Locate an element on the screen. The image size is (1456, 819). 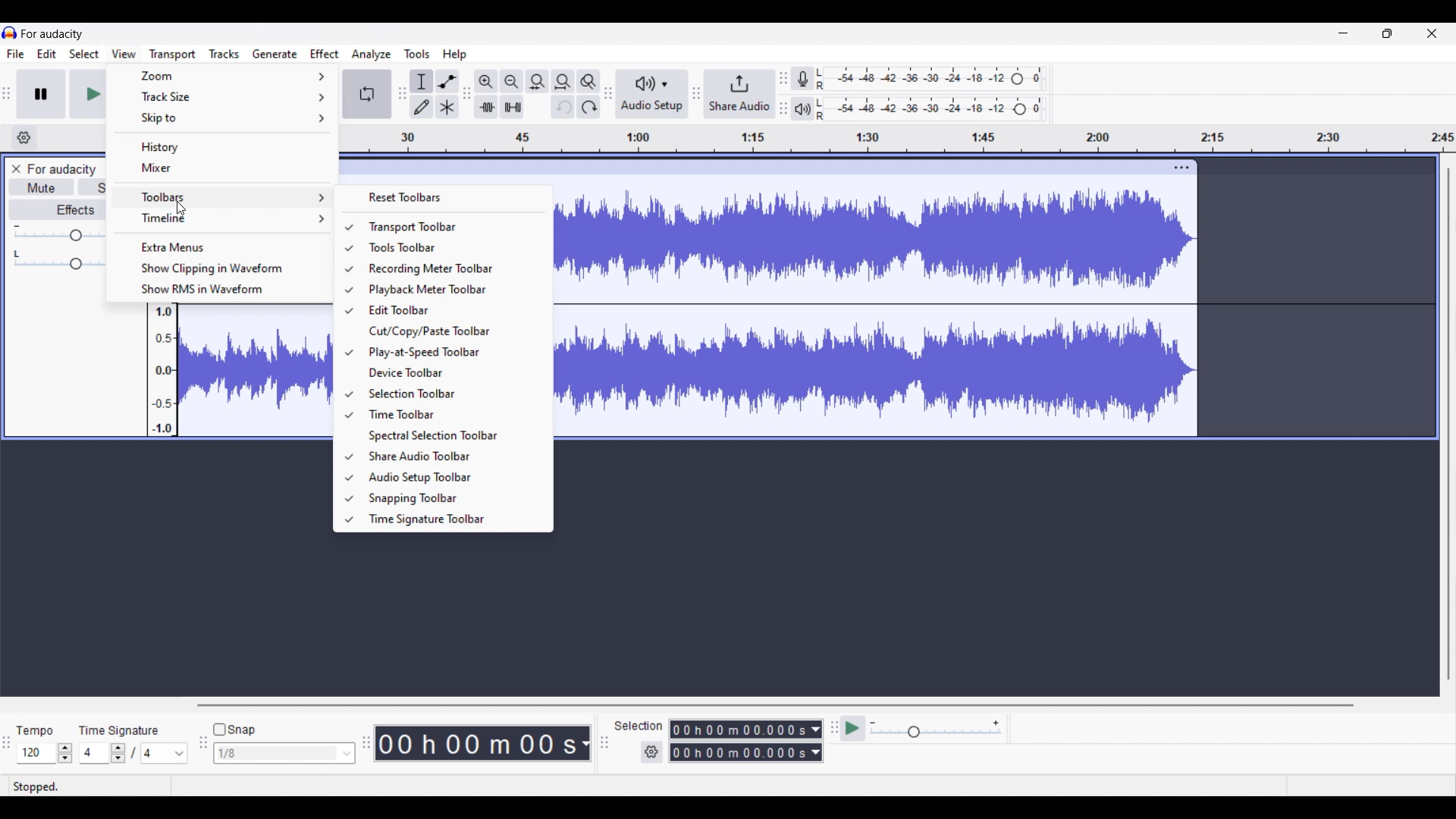
Time toolbar is located at coordinates (451, 414).